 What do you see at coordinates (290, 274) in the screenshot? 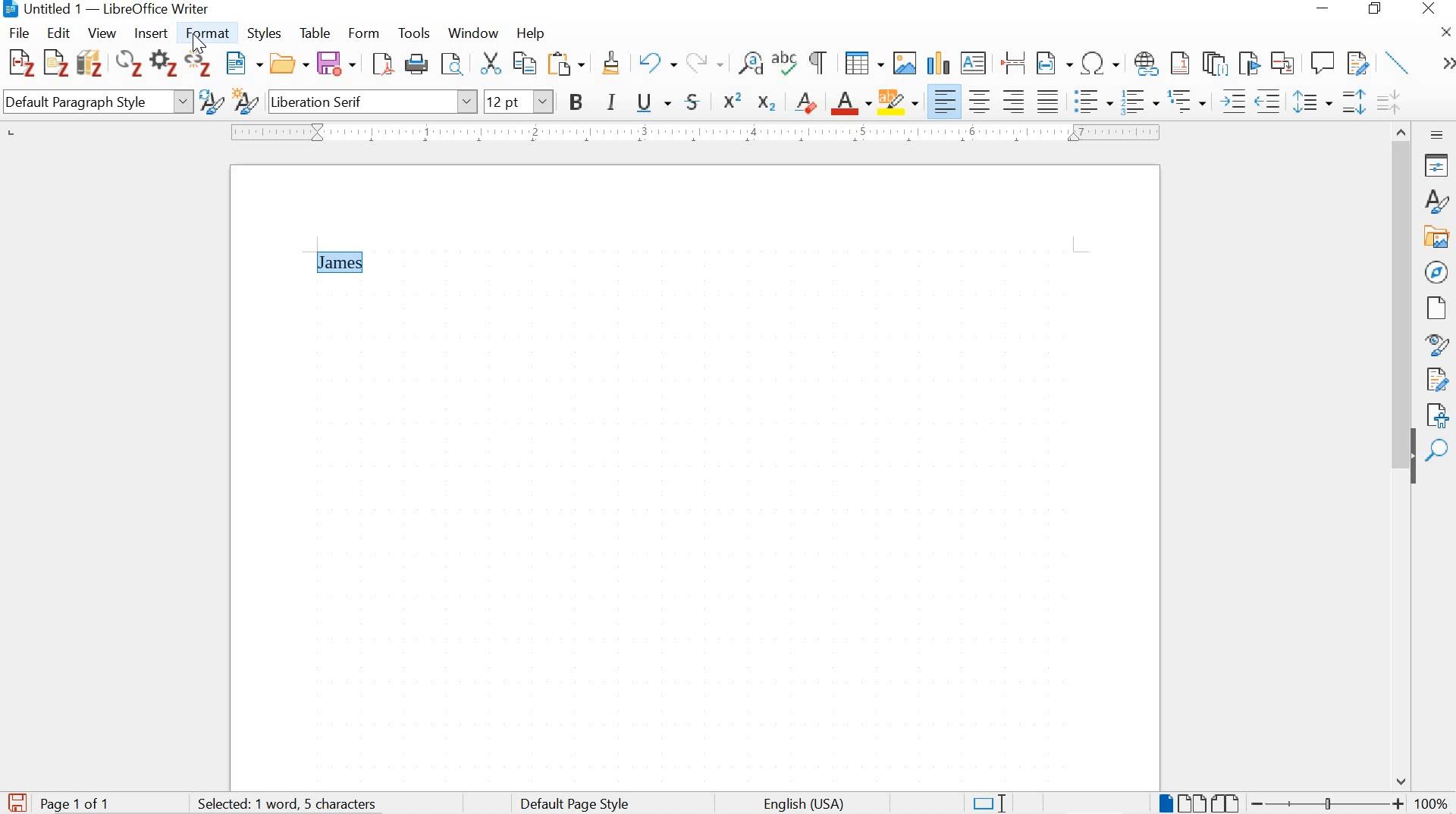
I see `cursor position at drag to` at bounding box center [290, 274].